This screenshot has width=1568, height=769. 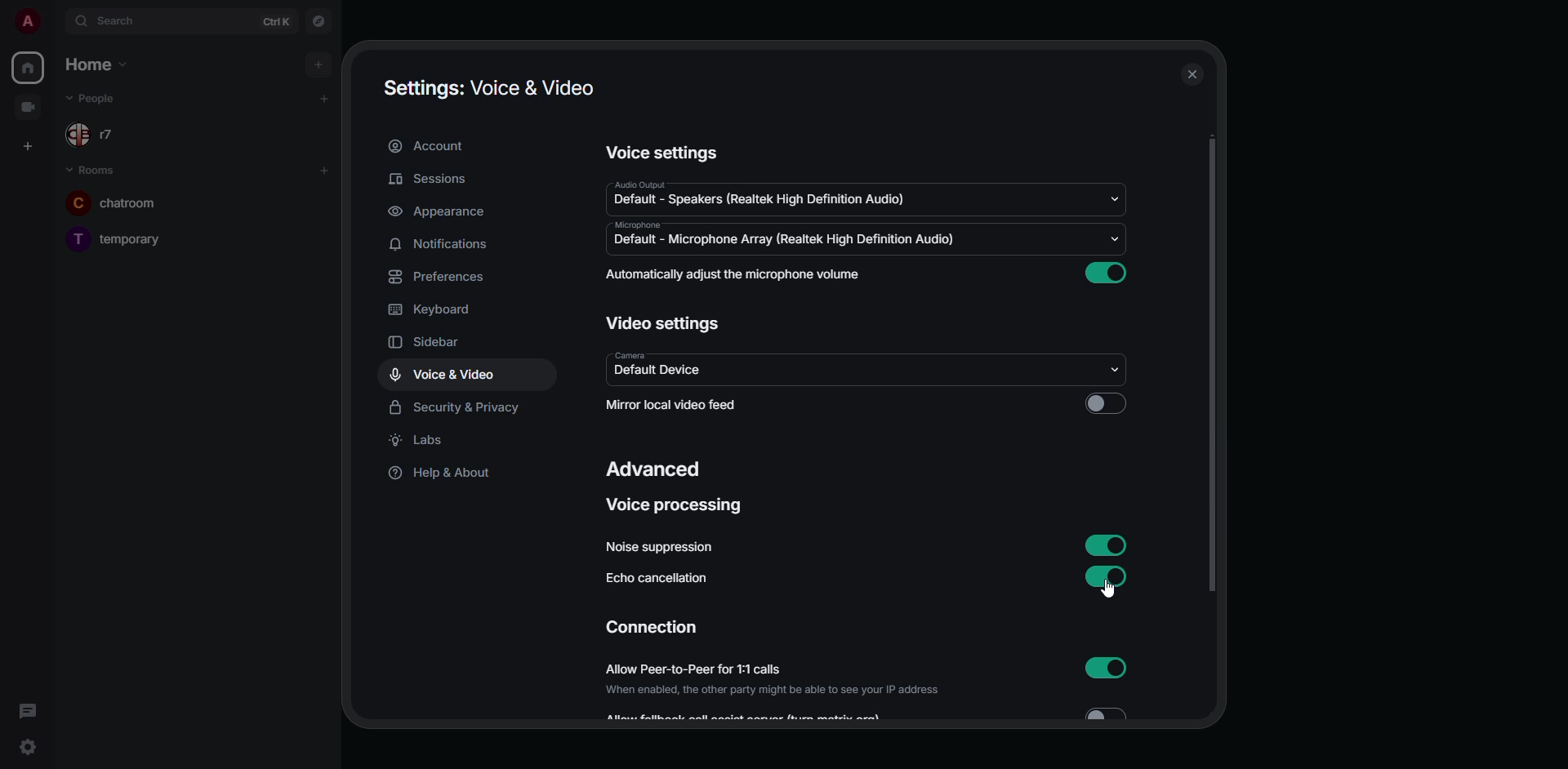 What do you see at coordinates (23, 746) in the screenshot?
I see `quick settings` at bounding box center [23, 746].